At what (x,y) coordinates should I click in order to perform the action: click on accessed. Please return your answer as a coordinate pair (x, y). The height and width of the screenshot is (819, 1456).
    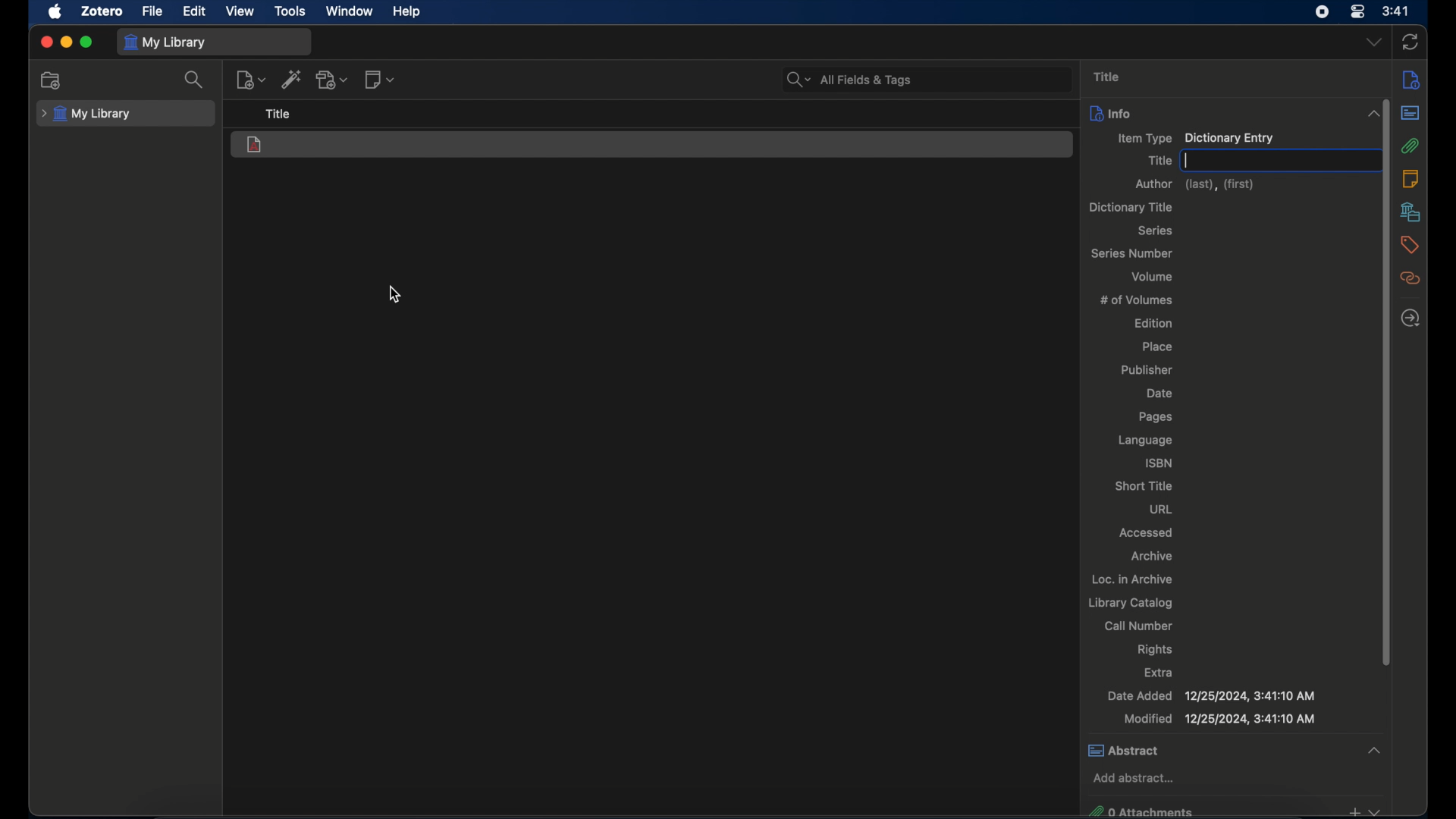
    Looking at the image, I should click on (1148, 532).